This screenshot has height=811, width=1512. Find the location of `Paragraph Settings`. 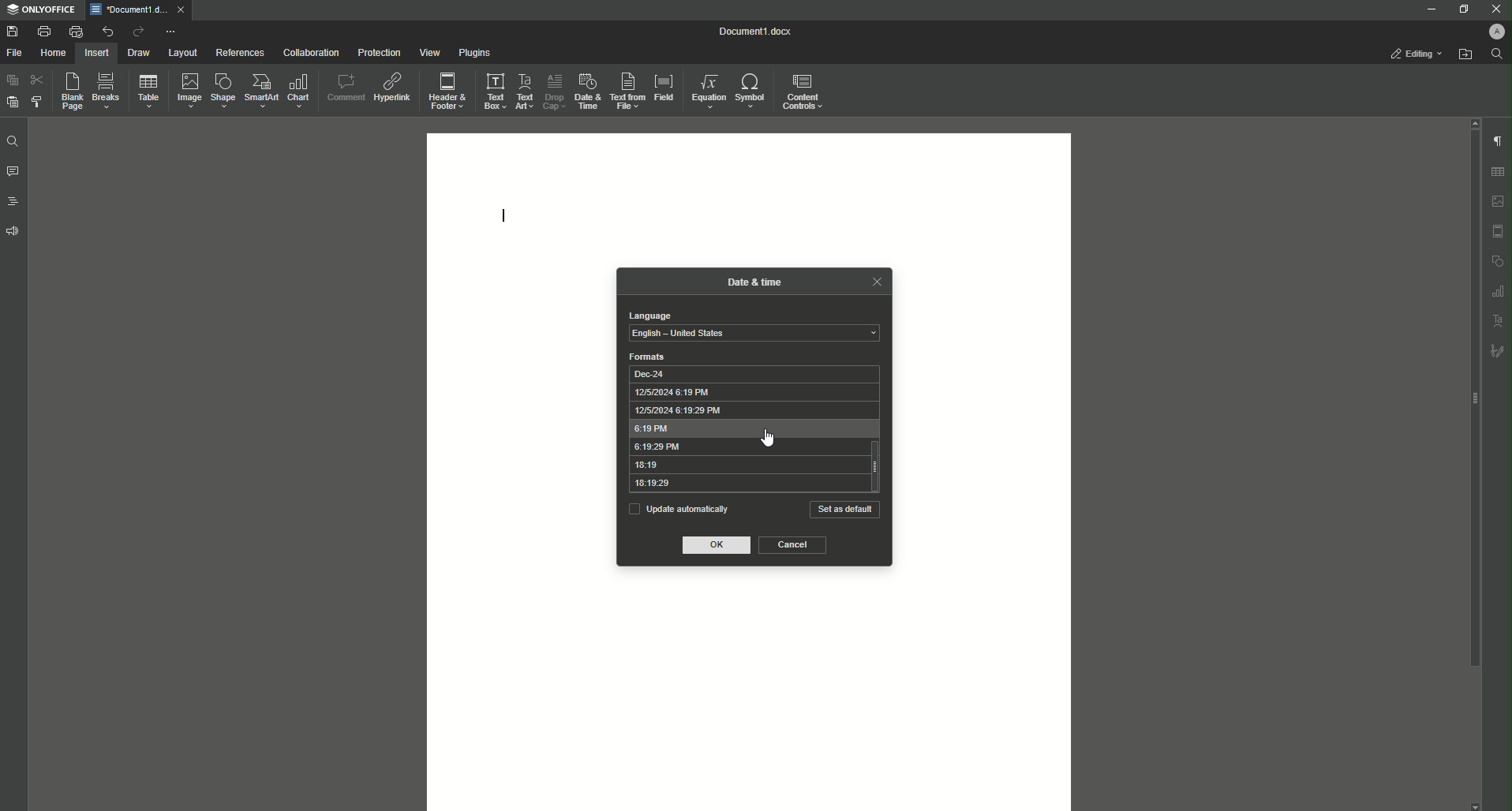

Paragraph Settings is located at coordinates (1496, 140).